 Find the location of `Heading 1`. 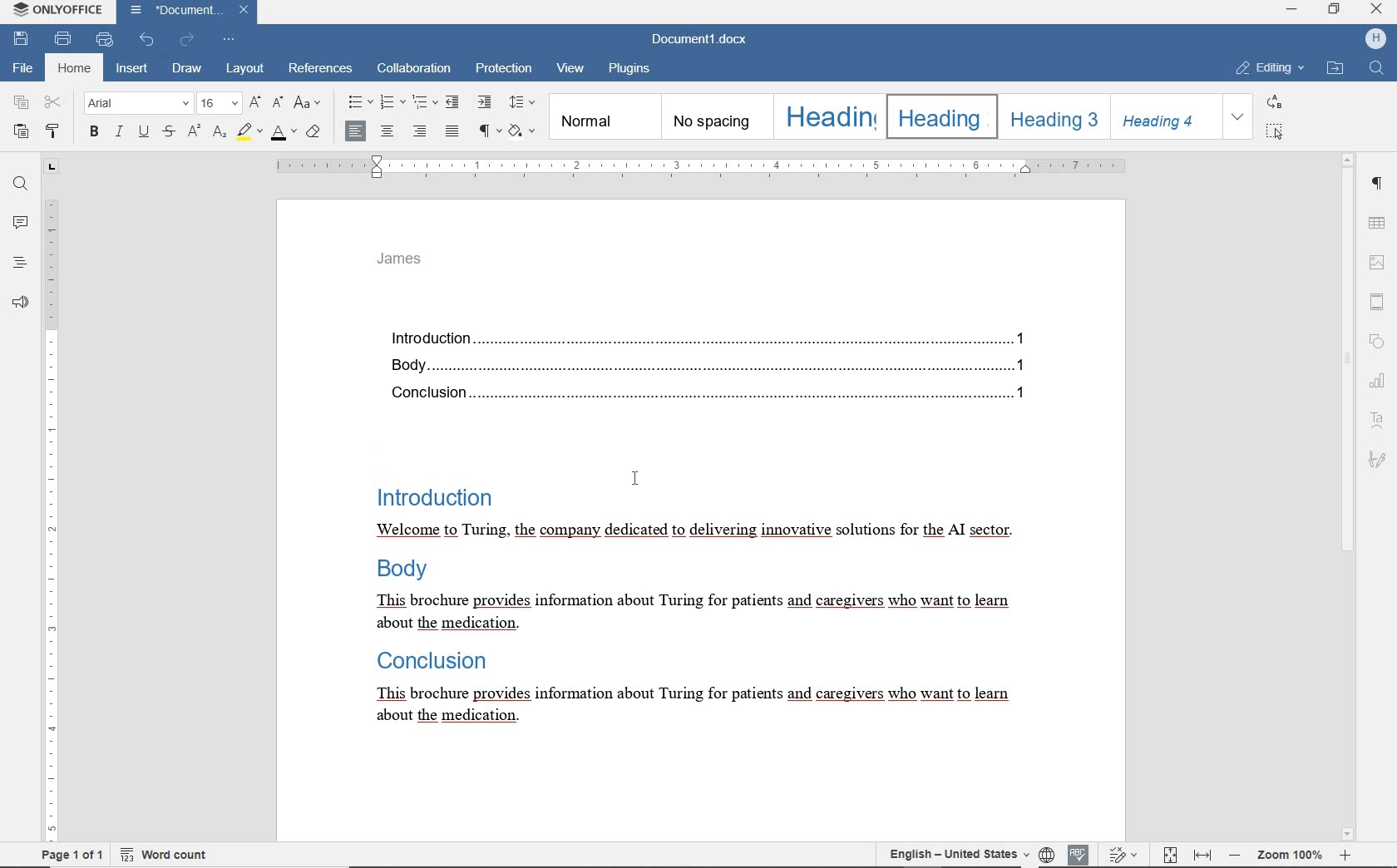

Heading 1 is located at coordinates (827, 116).